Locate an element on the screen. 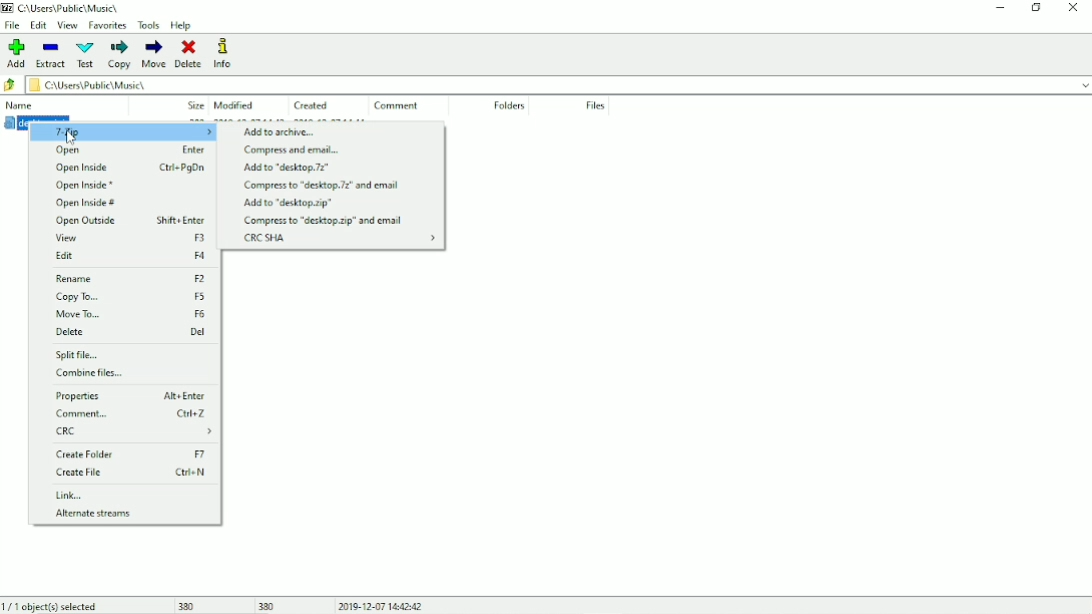 Image resolution: width=1092 pixels, height=614 pixels. cursr is located at coordinates (71, 139).